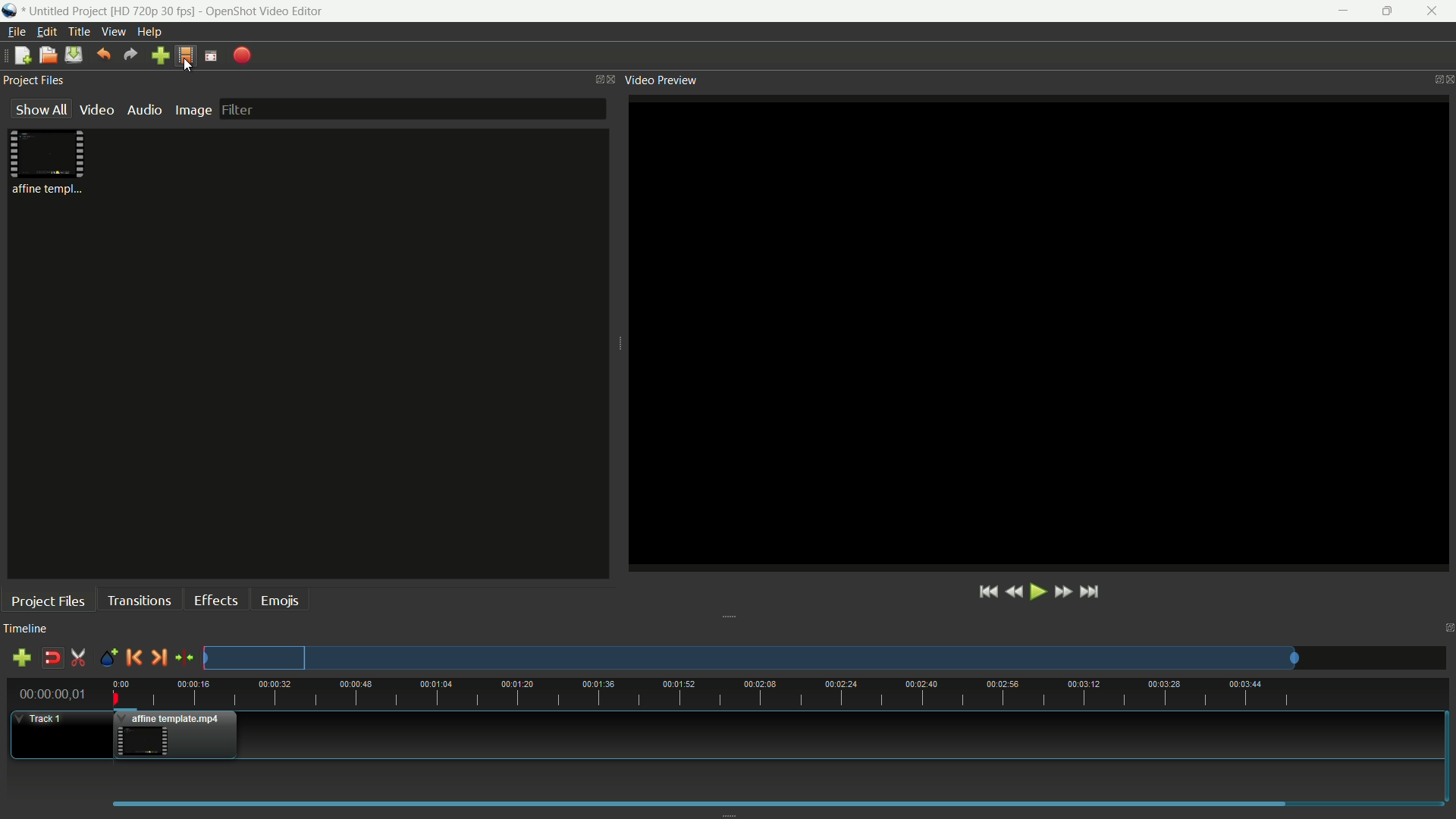  What do you see at coordinates (49, 162) in the screenshot?
I see `project file` at bounding box center [49, 162].